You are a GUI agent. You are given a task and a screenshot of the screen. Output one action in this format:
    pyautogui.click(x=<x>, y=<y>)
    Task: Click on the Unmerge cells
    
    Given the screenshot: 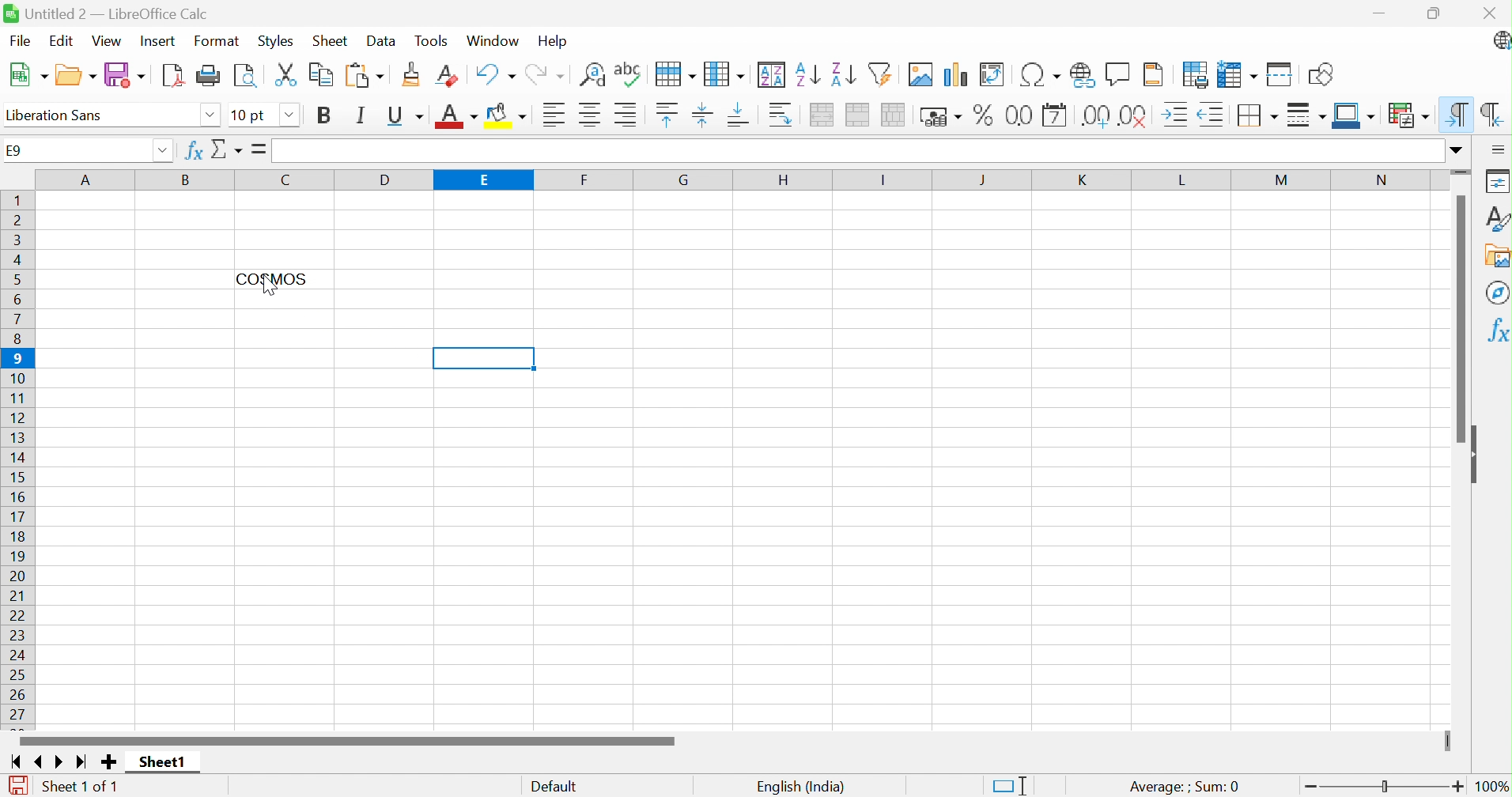 What is the action you would take?
    pyautogui.click(x=891, y=115)
    